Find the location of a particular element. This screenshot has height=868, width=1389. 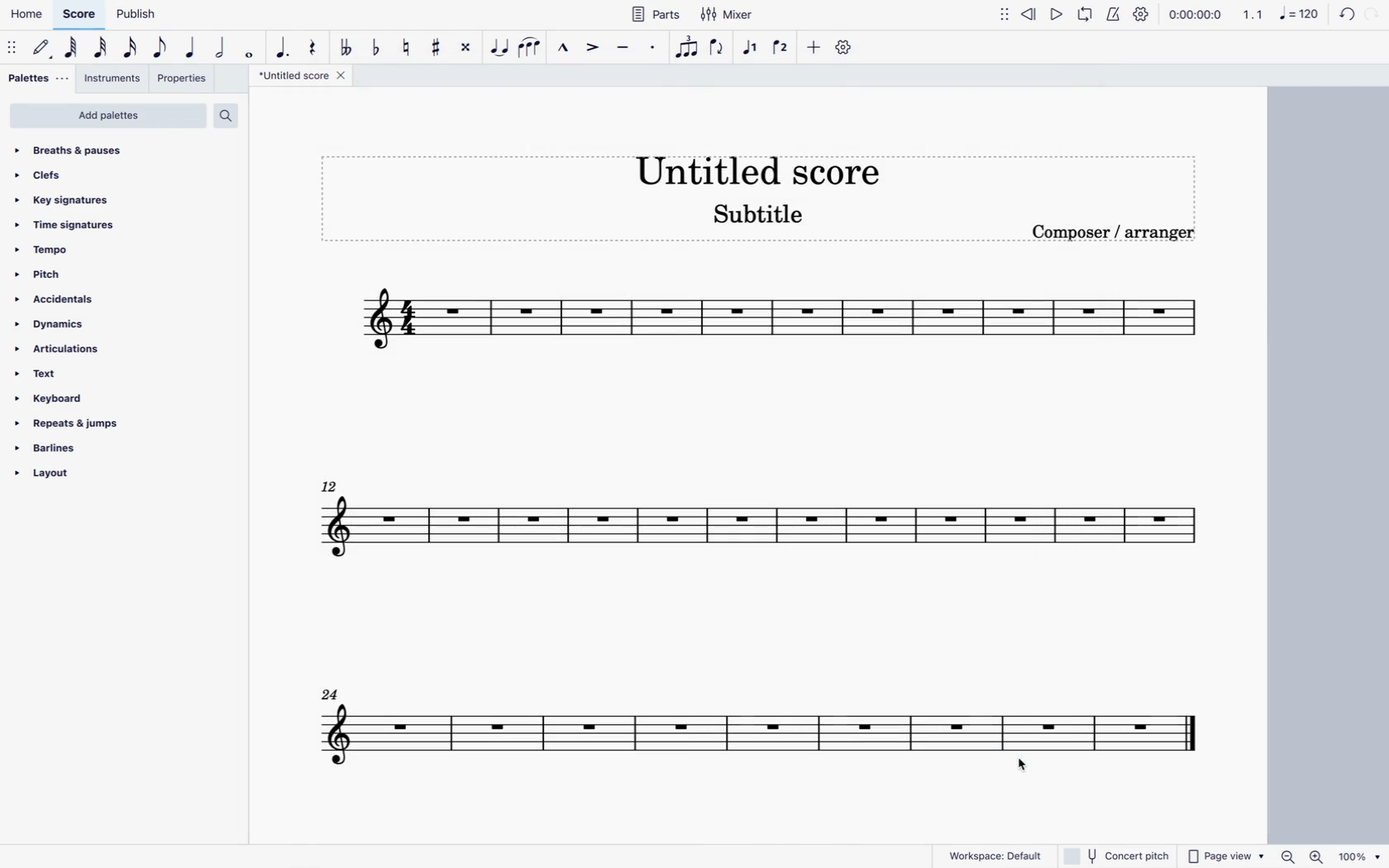

zoom in is located at coordinates (1320, 855).